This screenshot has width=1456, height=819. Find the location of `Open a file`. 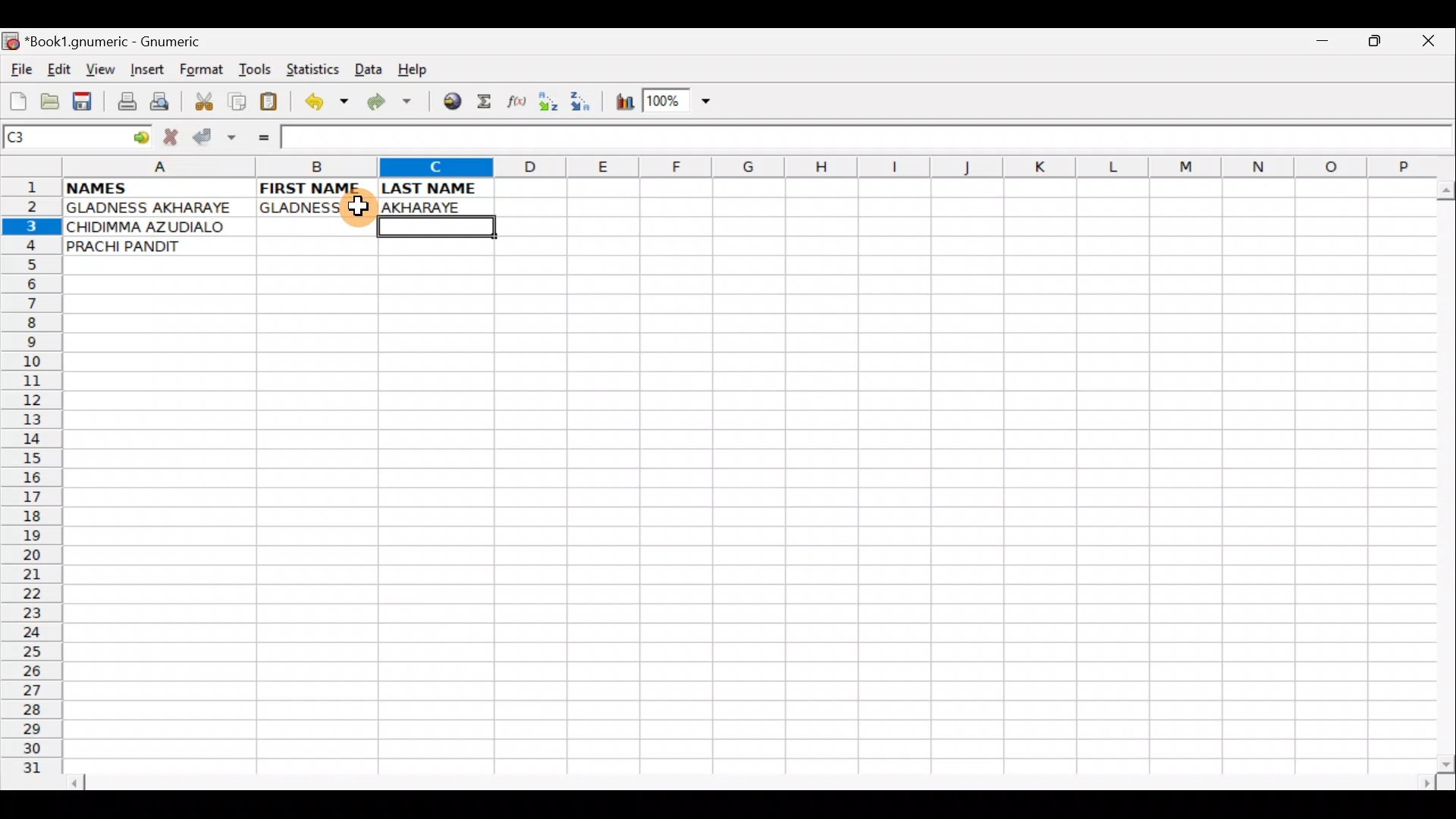

Open a file is located at coordinates (53, 99).